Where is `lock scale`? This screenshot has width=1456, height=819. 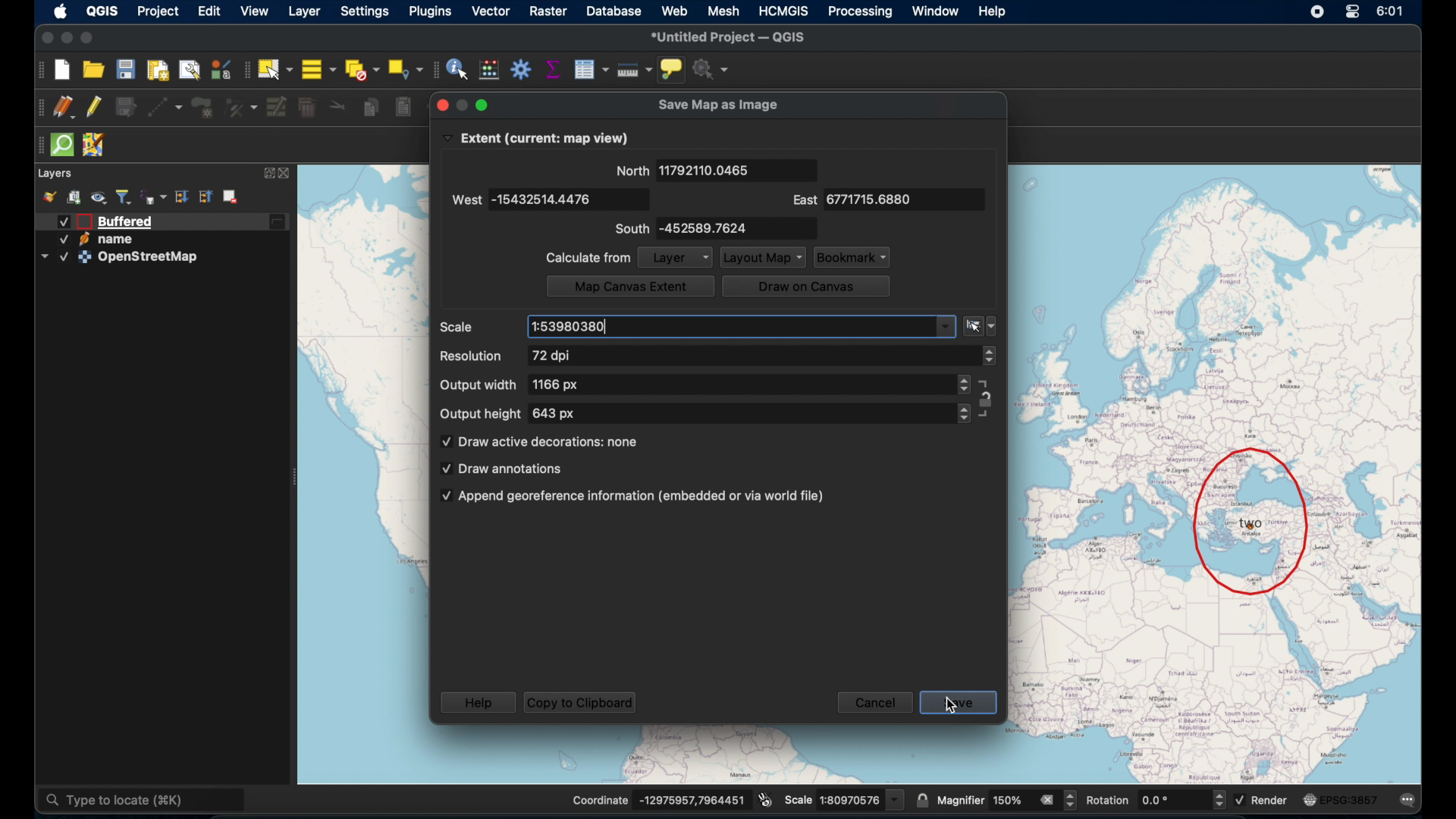 lock scale is located at coordinates (922, 797).